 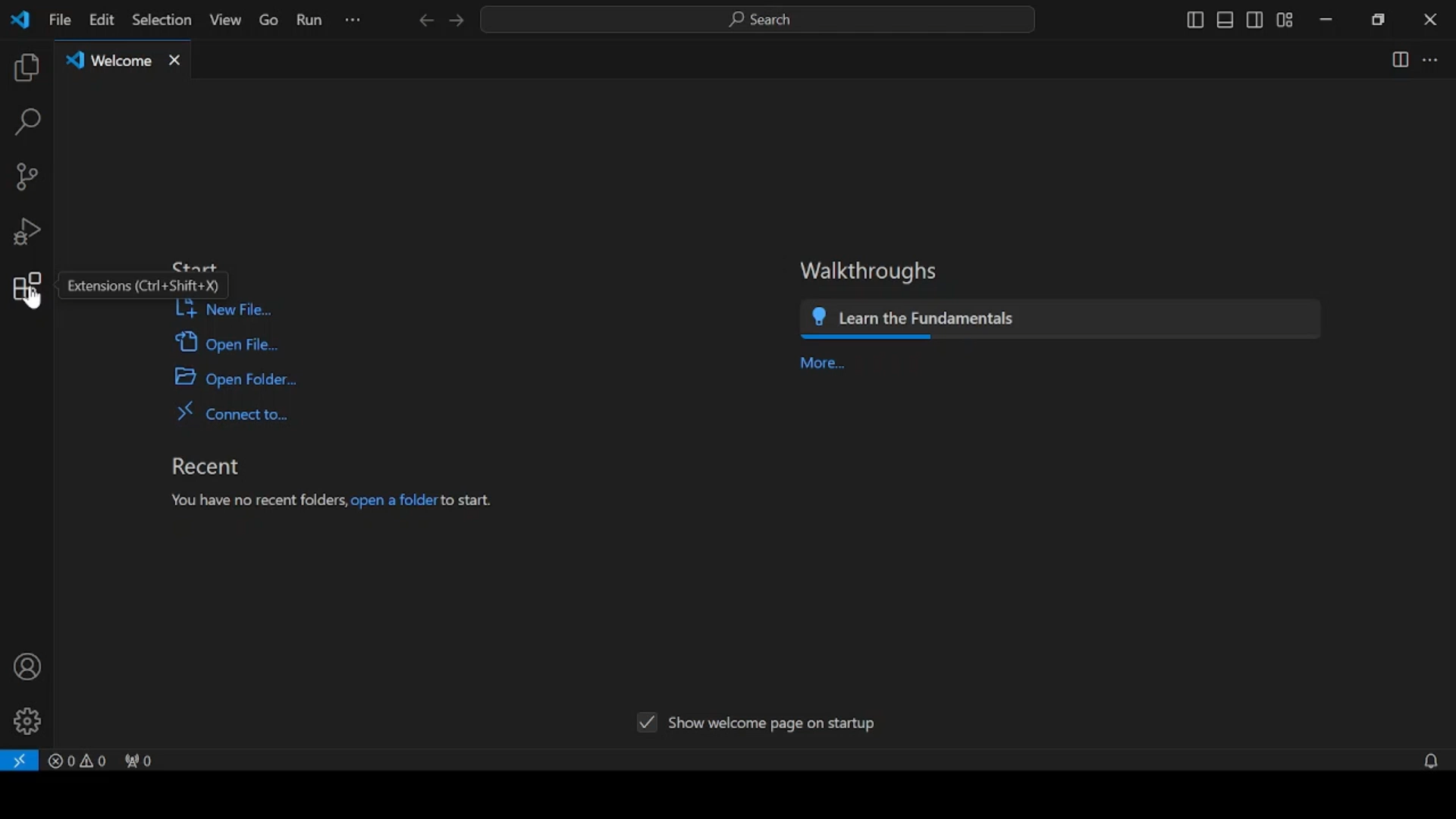 I want to click on open folder, so click(x=230, y=378).